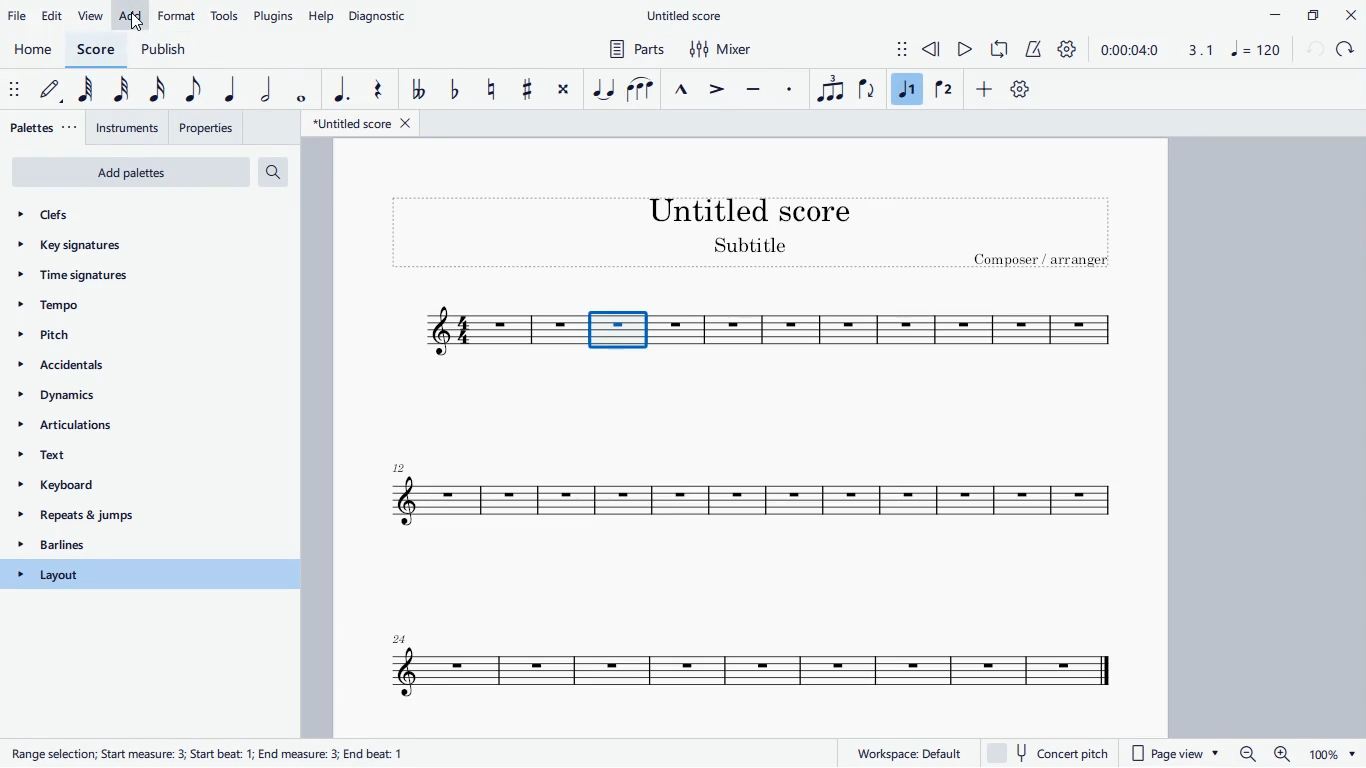 The image size is (1366, 768). What do you see at coordinates (753, 209) in the screenshot?
I see `score title` at bounding box center [753, 209].